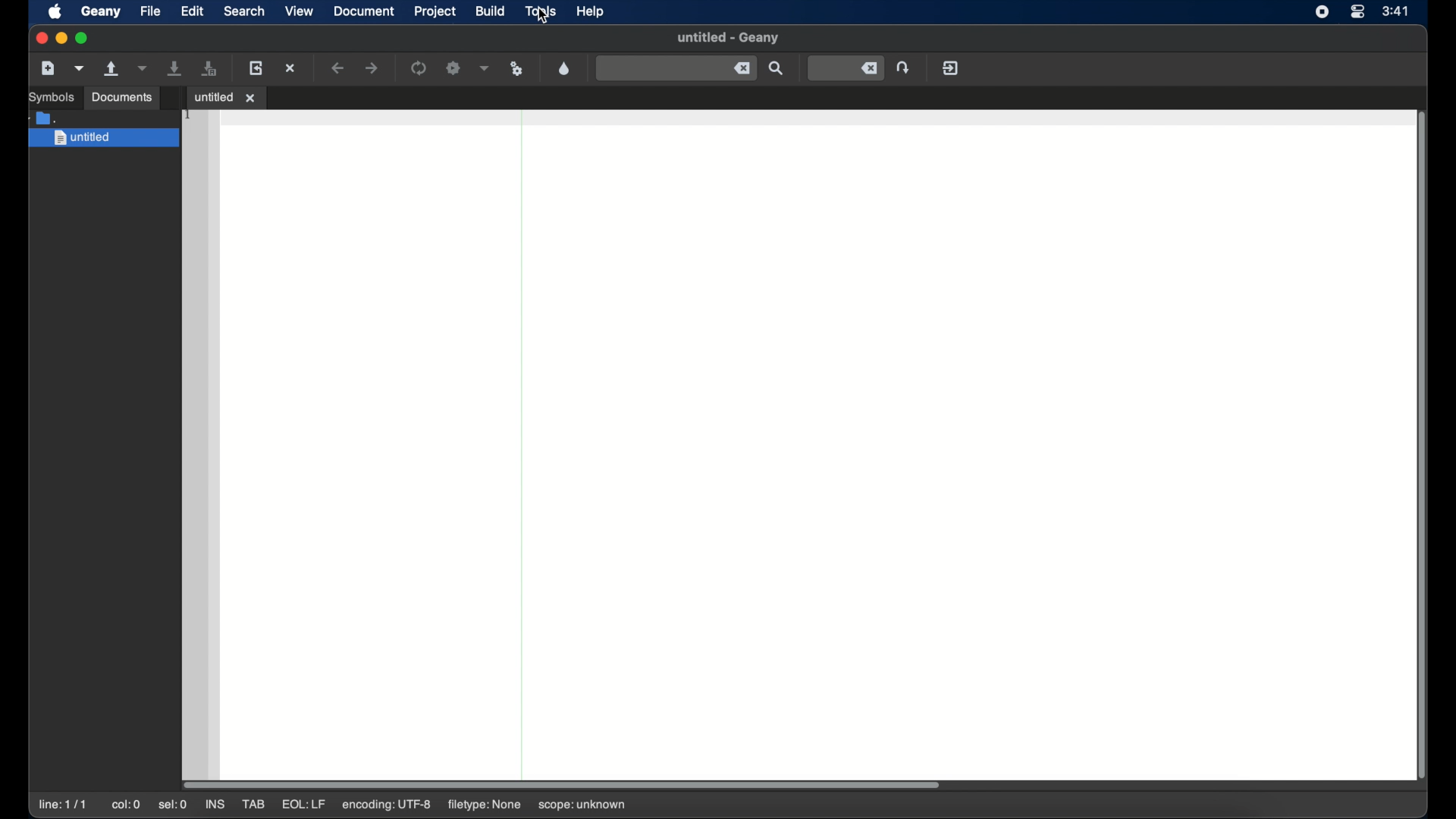 This screenshot has height=819, width=1456. Describe the element at coordinates (582, 805) in the screenshot. I see `scope: unknown` at that location.